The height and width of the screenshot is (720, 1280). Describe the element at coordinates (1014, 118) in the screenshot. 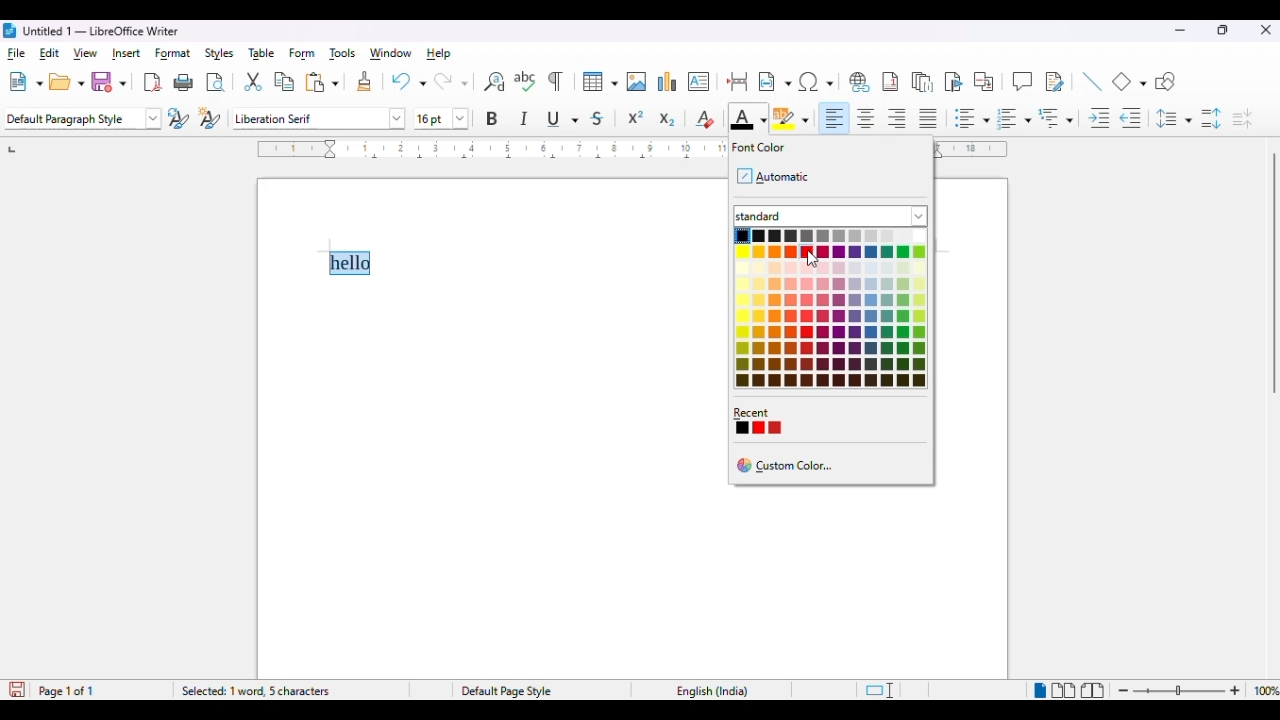

I see `toggle ordered list` at that location.